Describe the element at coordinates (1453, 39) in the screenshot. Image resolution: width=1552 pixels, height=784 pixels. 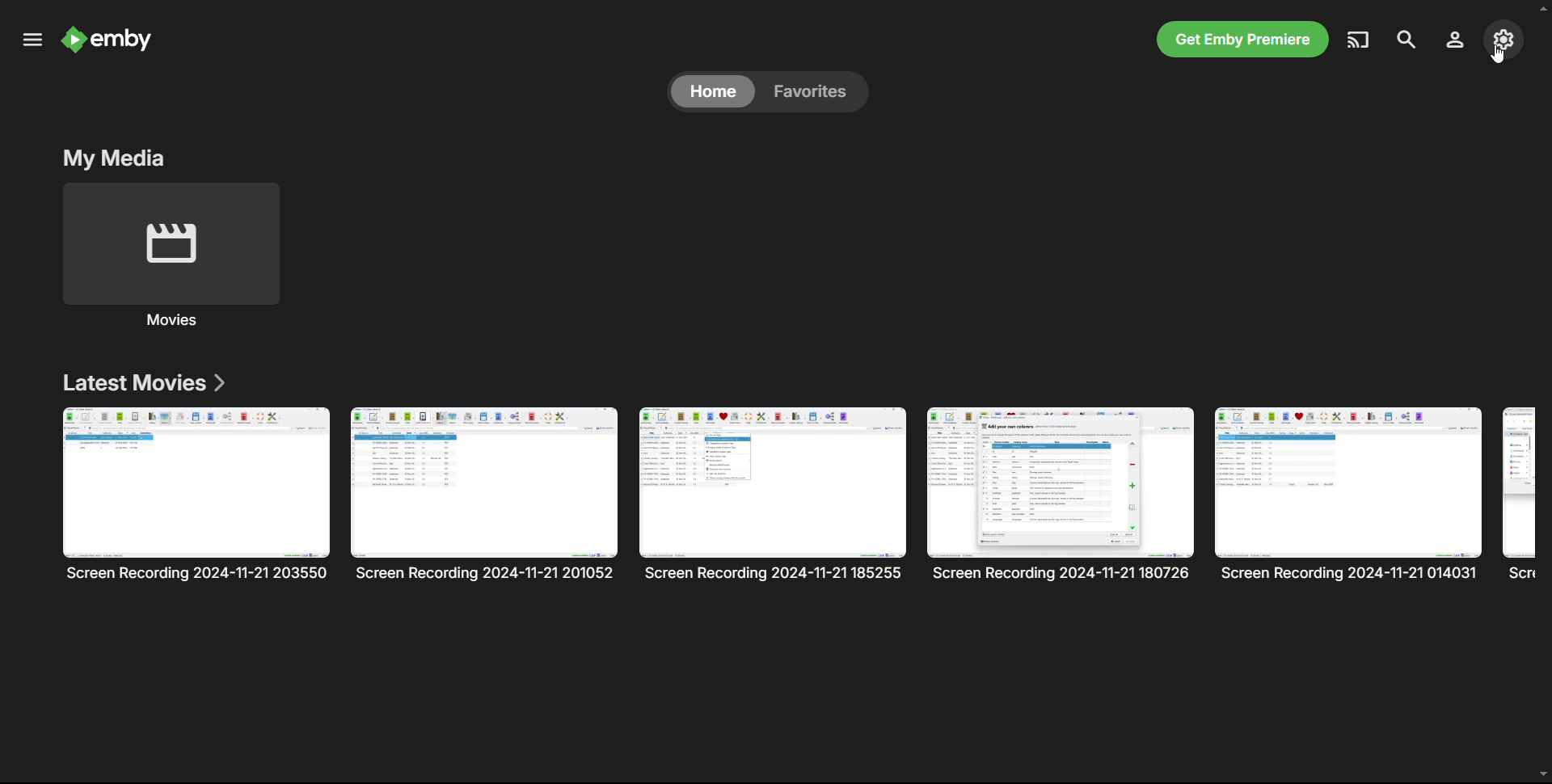
I see `account` at that location.